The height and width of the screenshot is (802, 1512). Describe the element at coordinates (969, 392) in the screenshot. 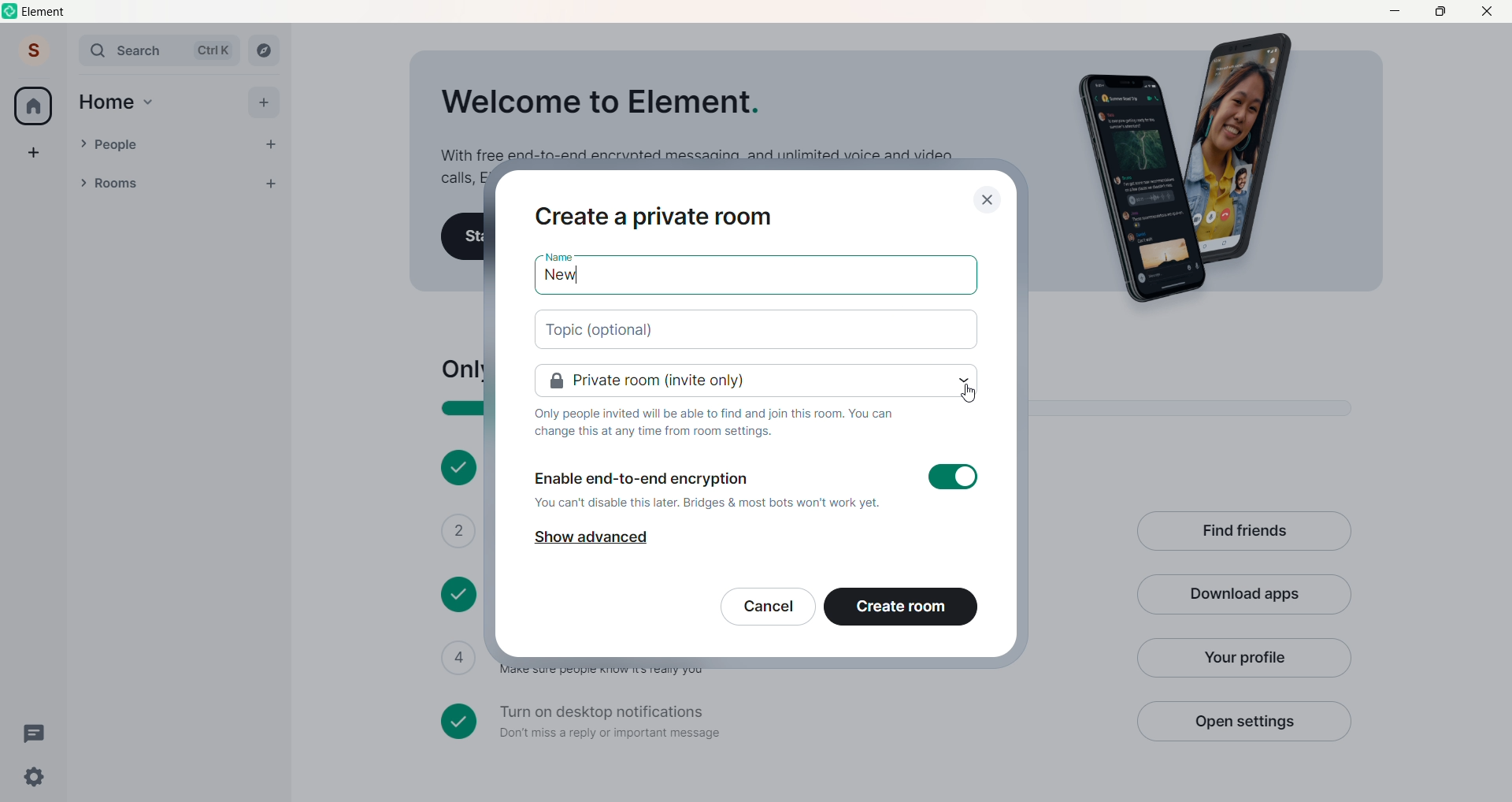

I see `Cursor` at that location.